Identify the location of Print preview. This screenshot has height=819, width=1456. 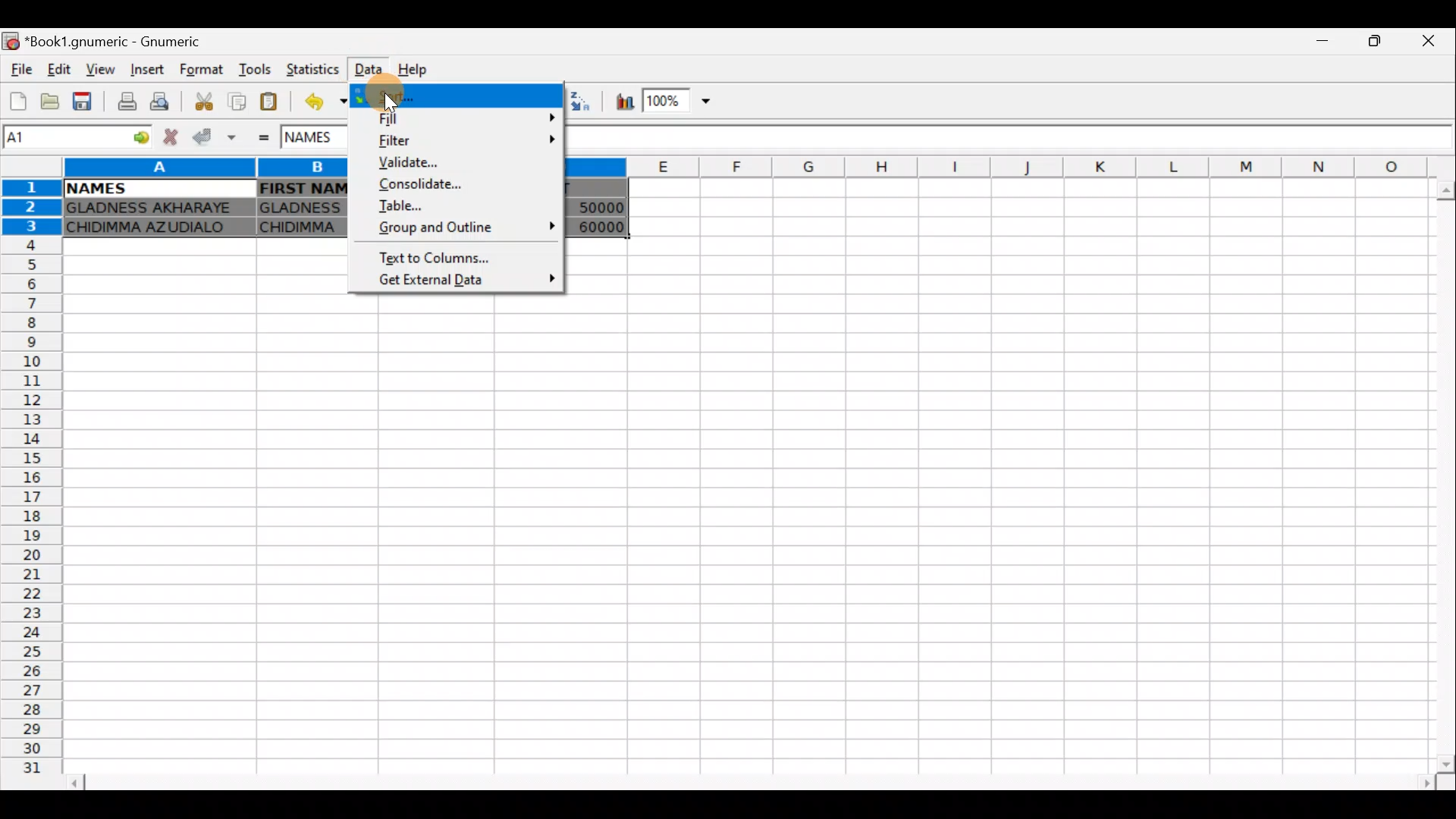
(163, 100).